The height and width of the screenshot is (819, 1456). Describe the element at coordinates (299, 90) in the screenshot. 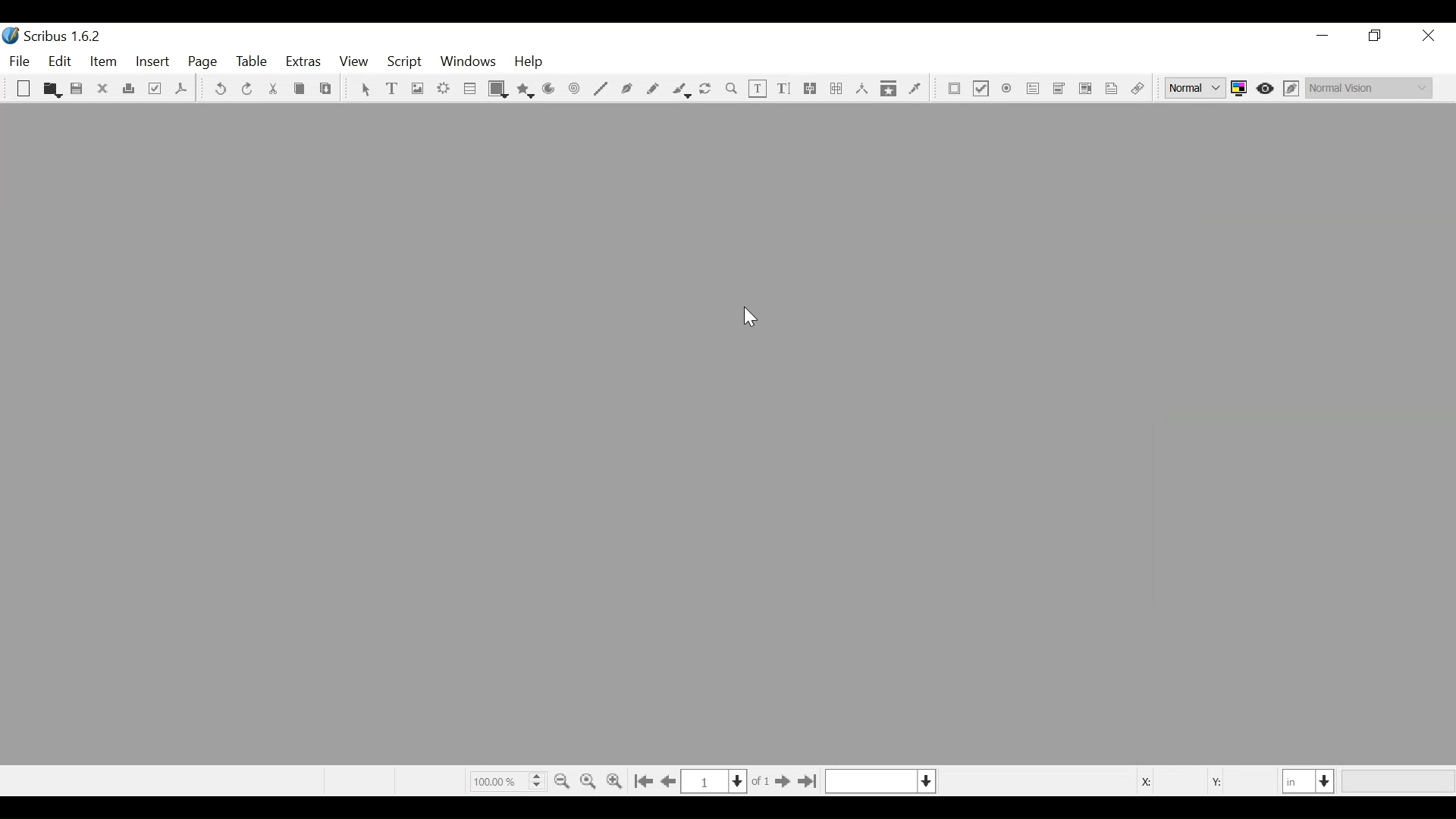

I see `Cop` at that location.